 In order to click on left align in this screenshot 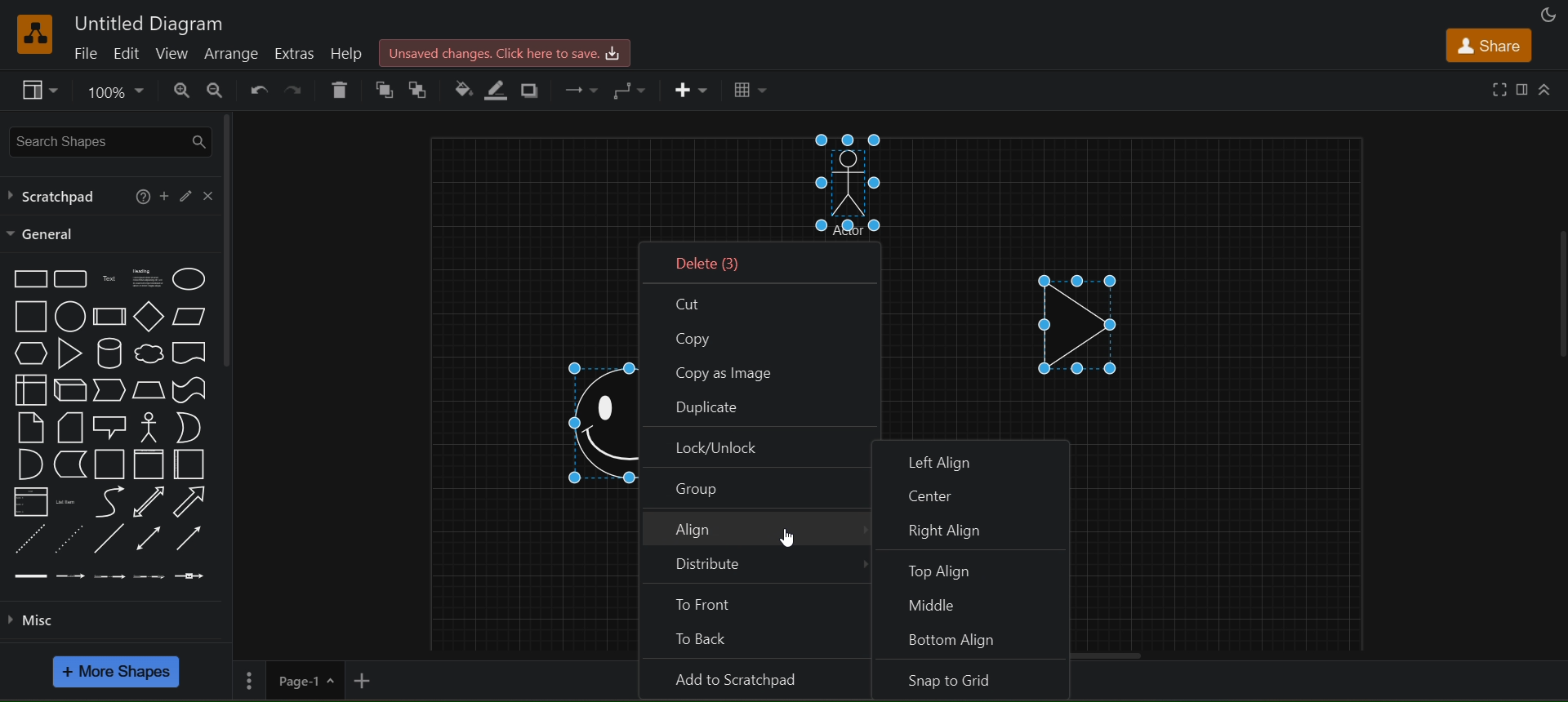, I will do `click(972, 455)`.